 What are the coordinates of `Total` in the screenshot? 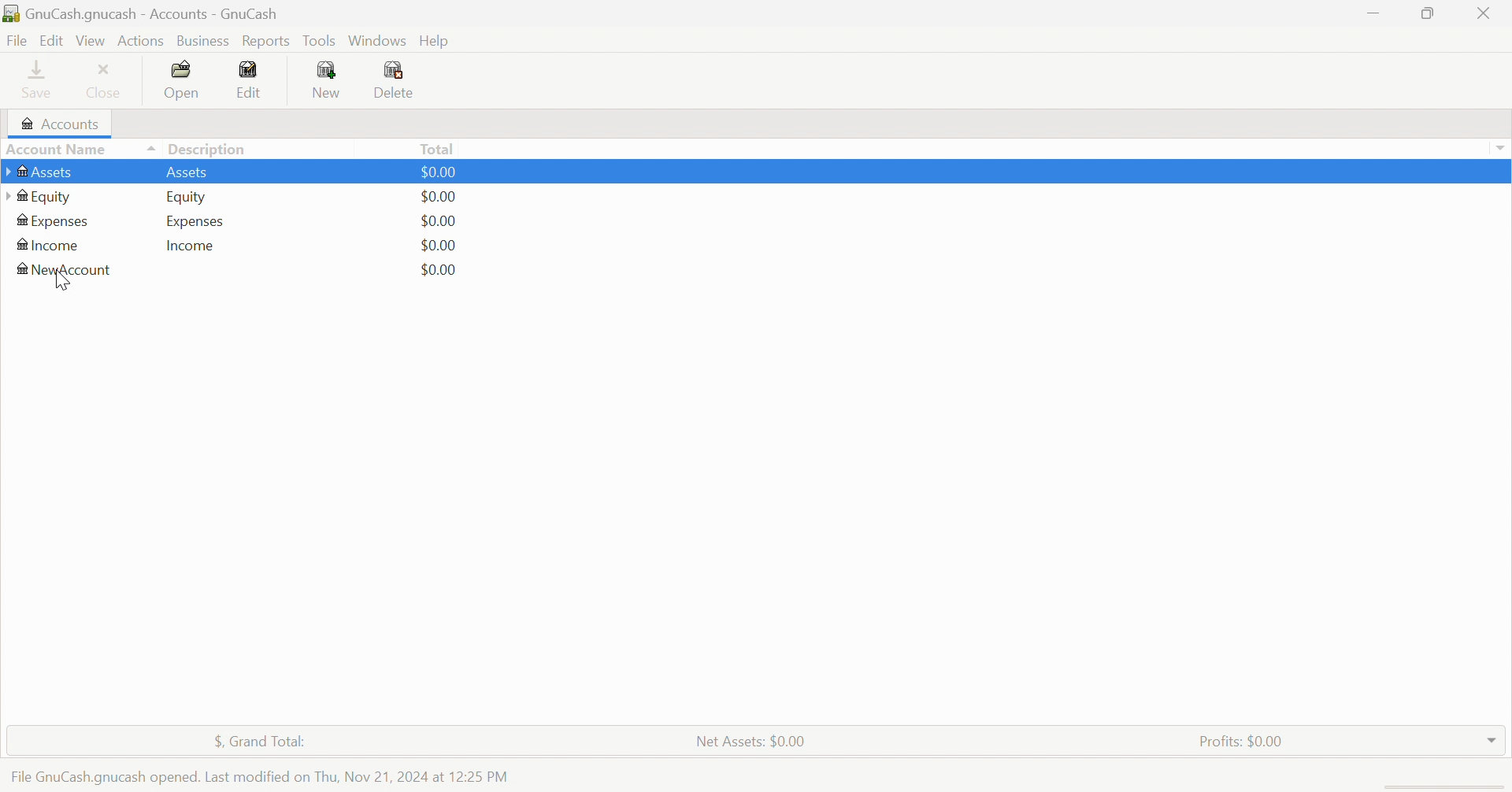 It's located at (437, 151).